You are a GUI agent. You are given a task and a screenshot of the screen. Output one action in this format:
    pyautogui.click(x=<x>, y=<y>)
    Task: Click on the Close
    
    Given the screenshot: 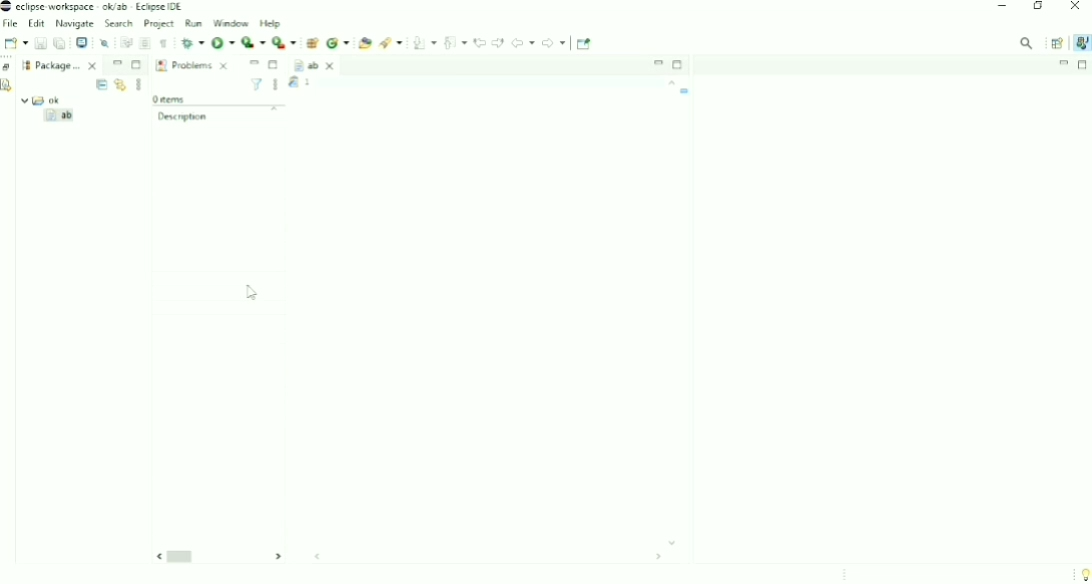 What is the action you would take?
    pyautogui.click(x=1076, y=8)
    